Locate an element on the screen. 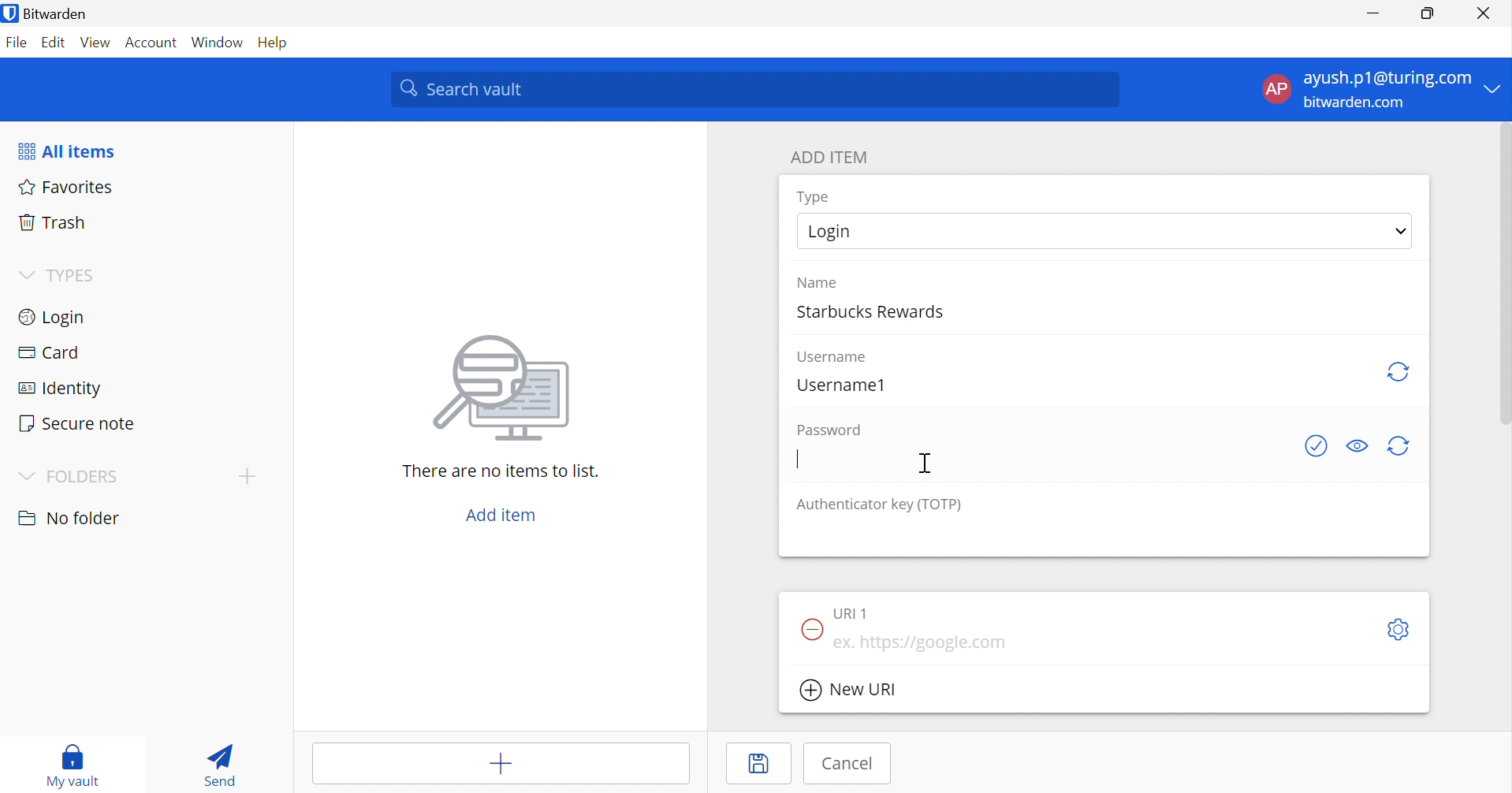 Image resolution: width=1512 pixels, height=793 pixels. Send is located at coordinates (224, 764).